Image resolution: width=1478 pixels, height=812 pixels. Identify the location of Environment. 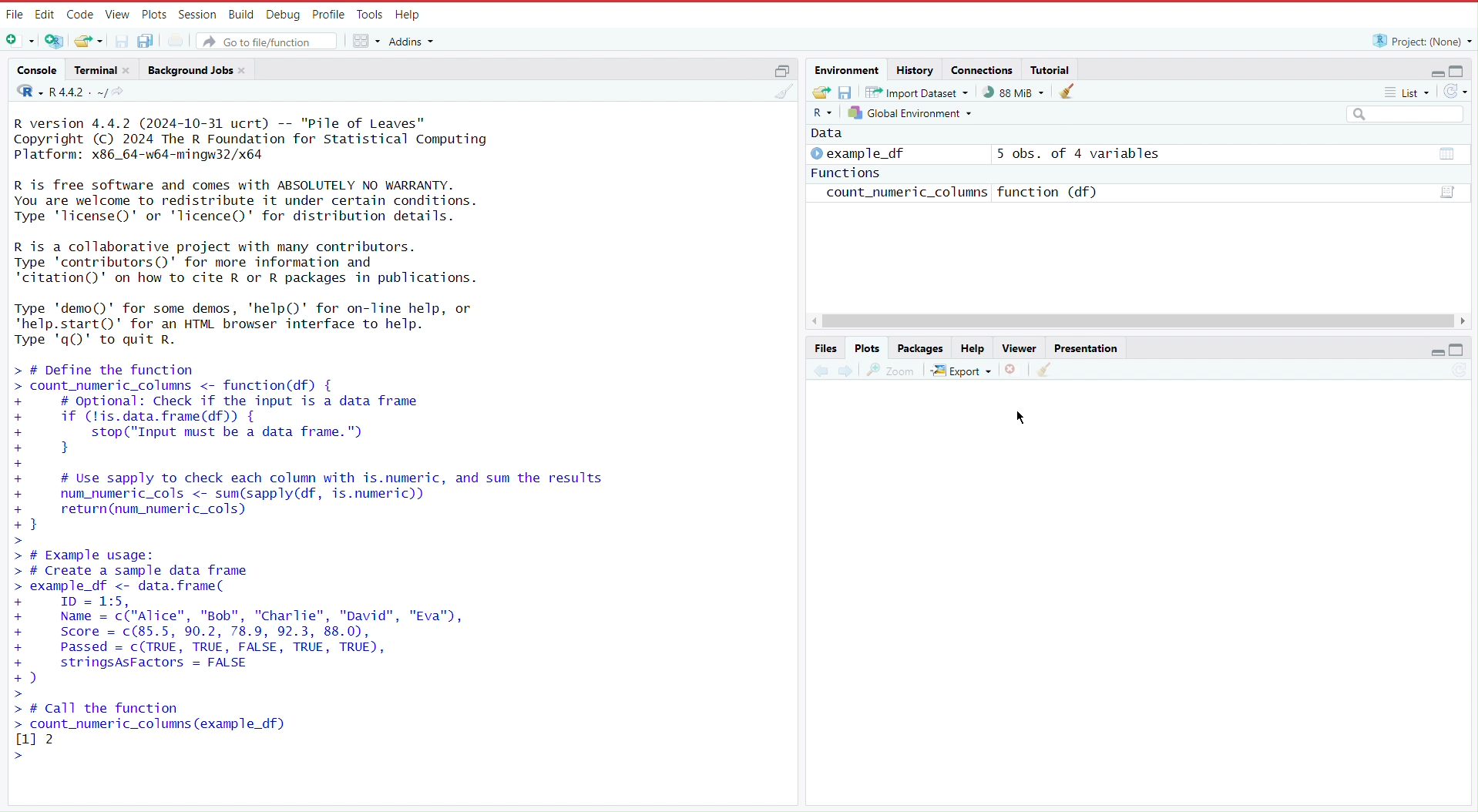
(849, 70).